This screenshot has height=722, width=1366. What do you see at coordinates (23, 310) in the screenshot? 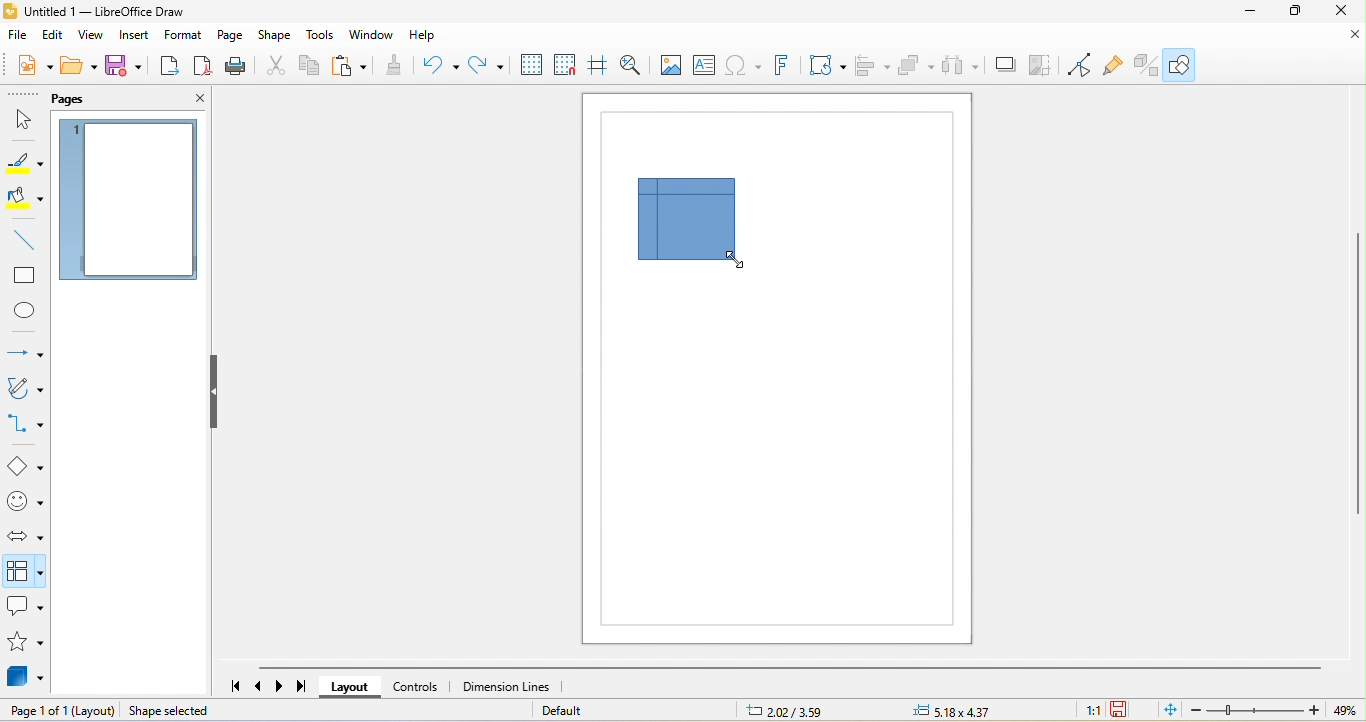
I see `ellipse` at bounding box center [23, 310].